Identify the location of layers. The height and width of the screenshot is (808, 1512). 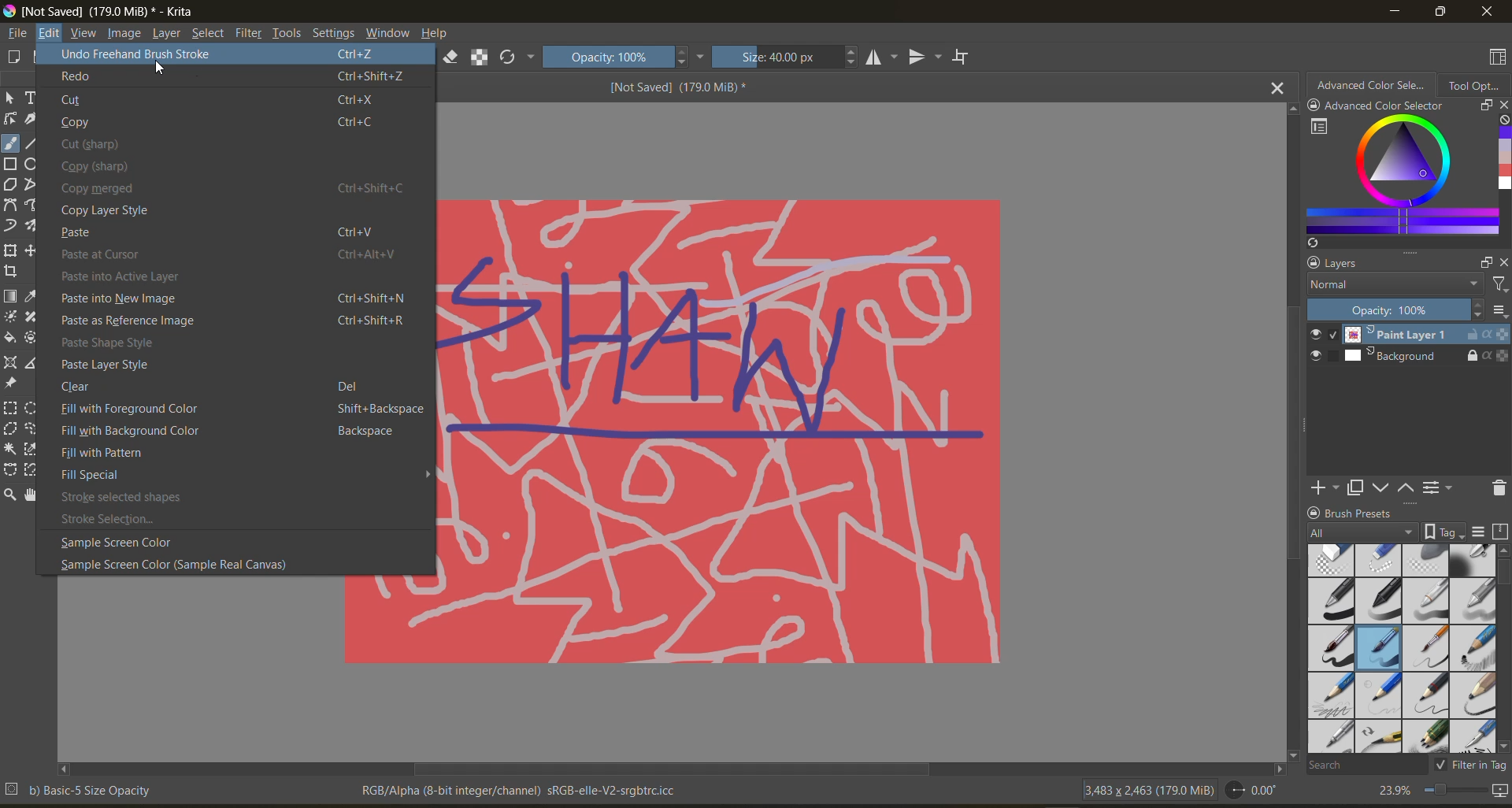
(1354, 263).